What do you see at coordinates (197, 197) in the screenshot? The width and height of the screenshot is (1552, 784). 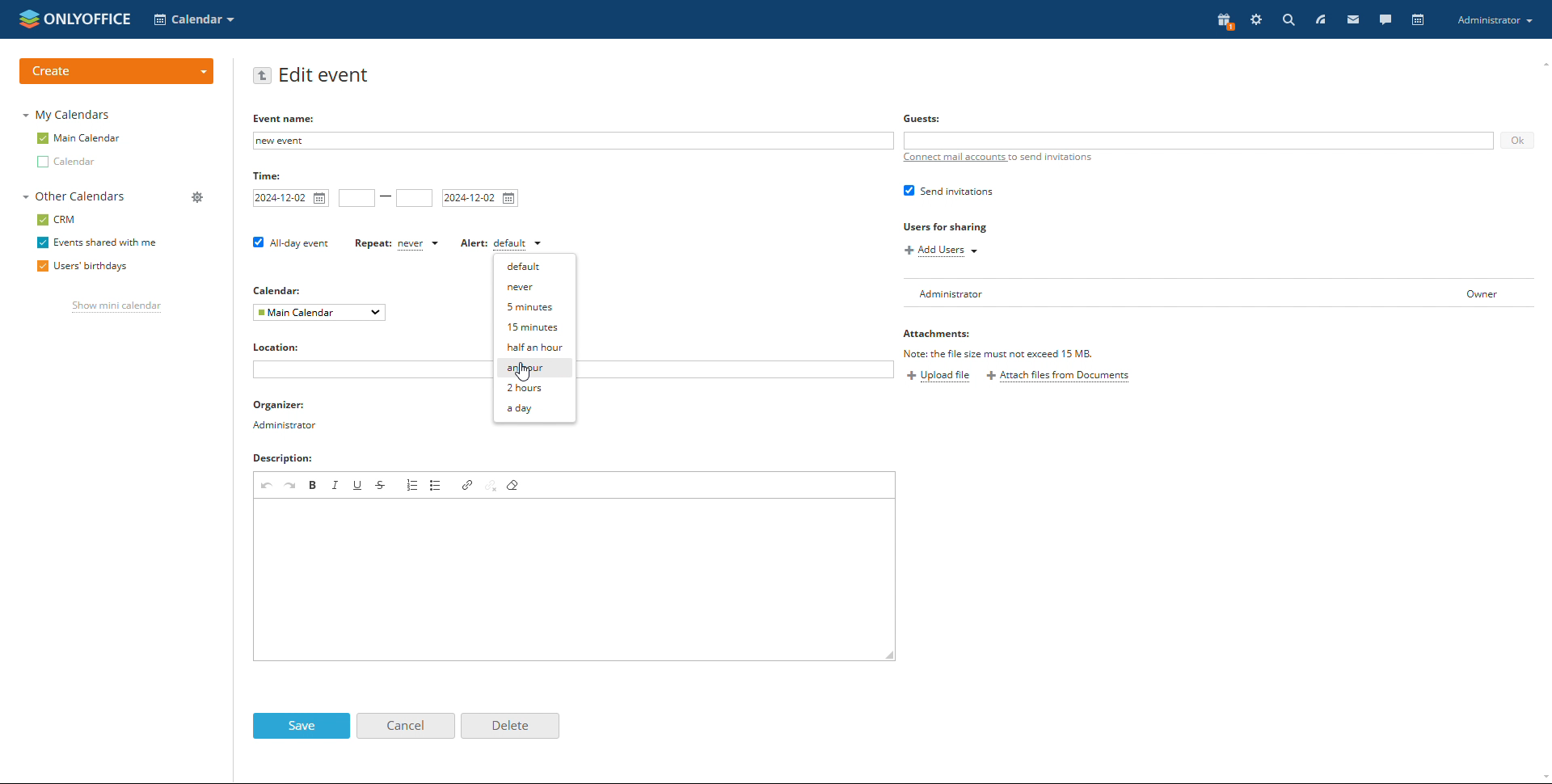 I see `manage` at bounding box center [197, 197].